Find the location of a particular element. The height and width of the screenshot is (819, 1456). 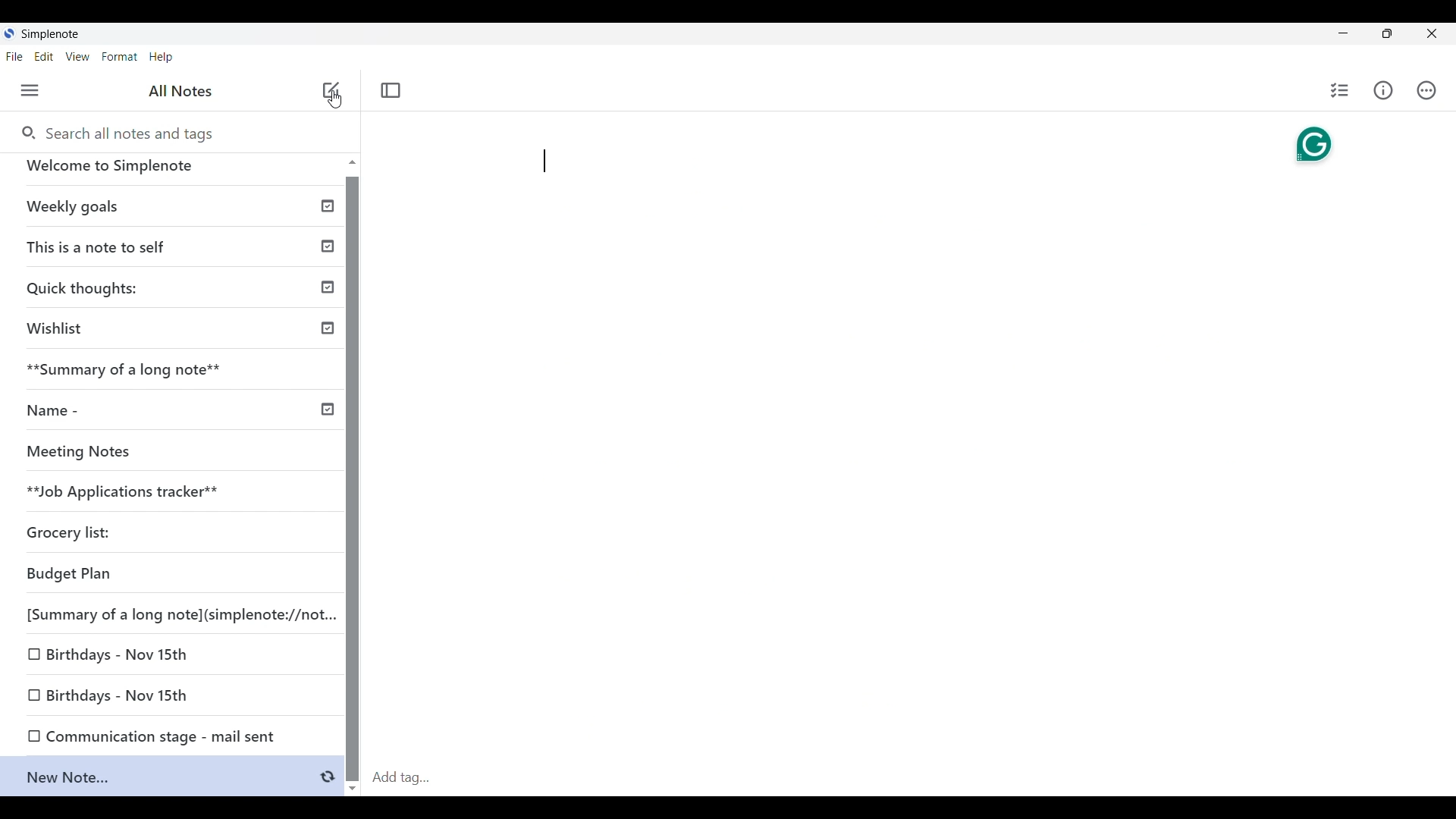

Add note is located at coordinates (332, 90).